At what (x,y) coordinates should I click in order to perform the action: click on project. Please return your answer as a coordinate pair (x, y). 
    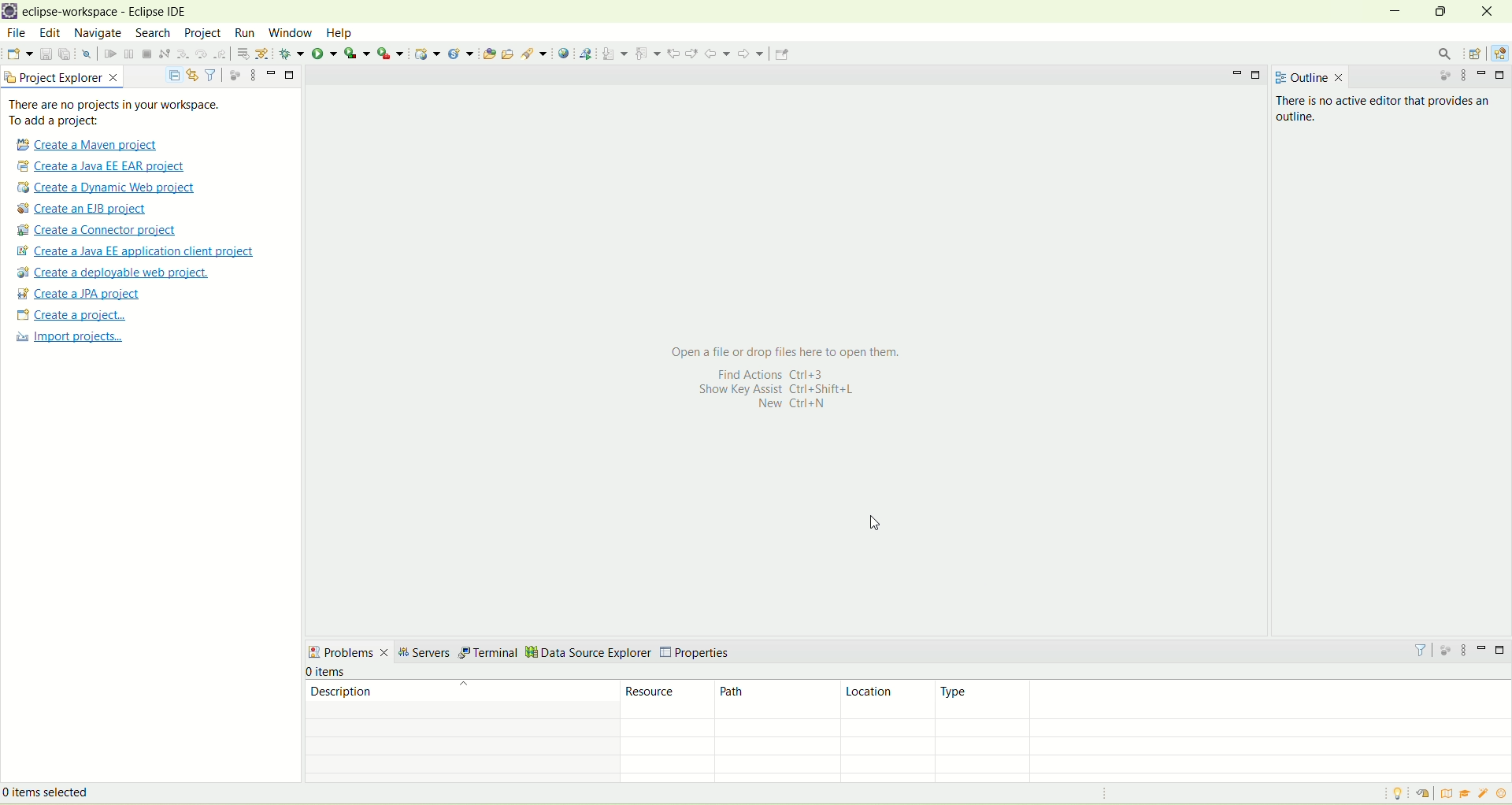
    Looking at the image, I should click on (202, 33).